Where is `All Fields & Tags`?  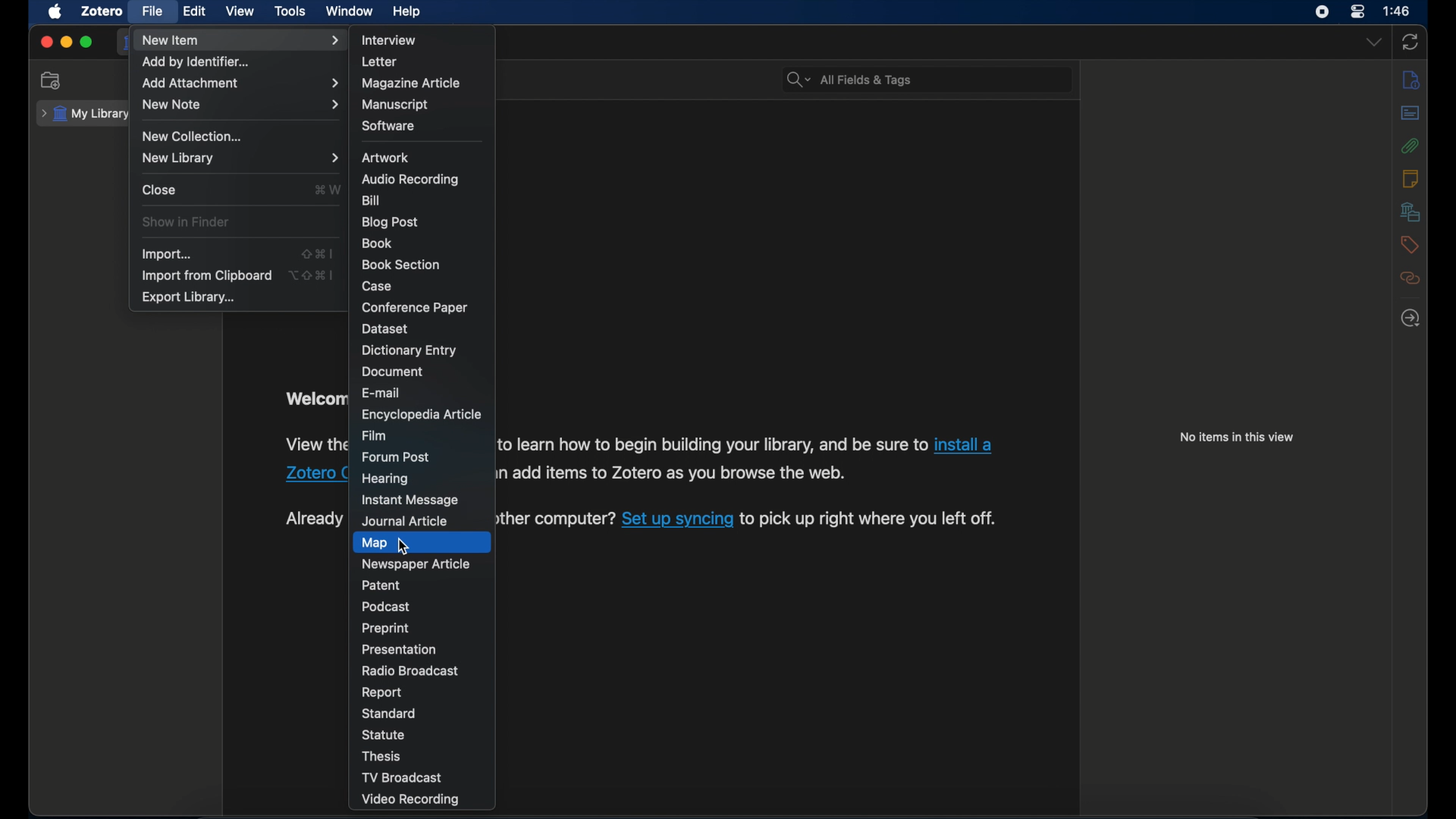
All Fields & Tags is located at coordinates (927, 80).